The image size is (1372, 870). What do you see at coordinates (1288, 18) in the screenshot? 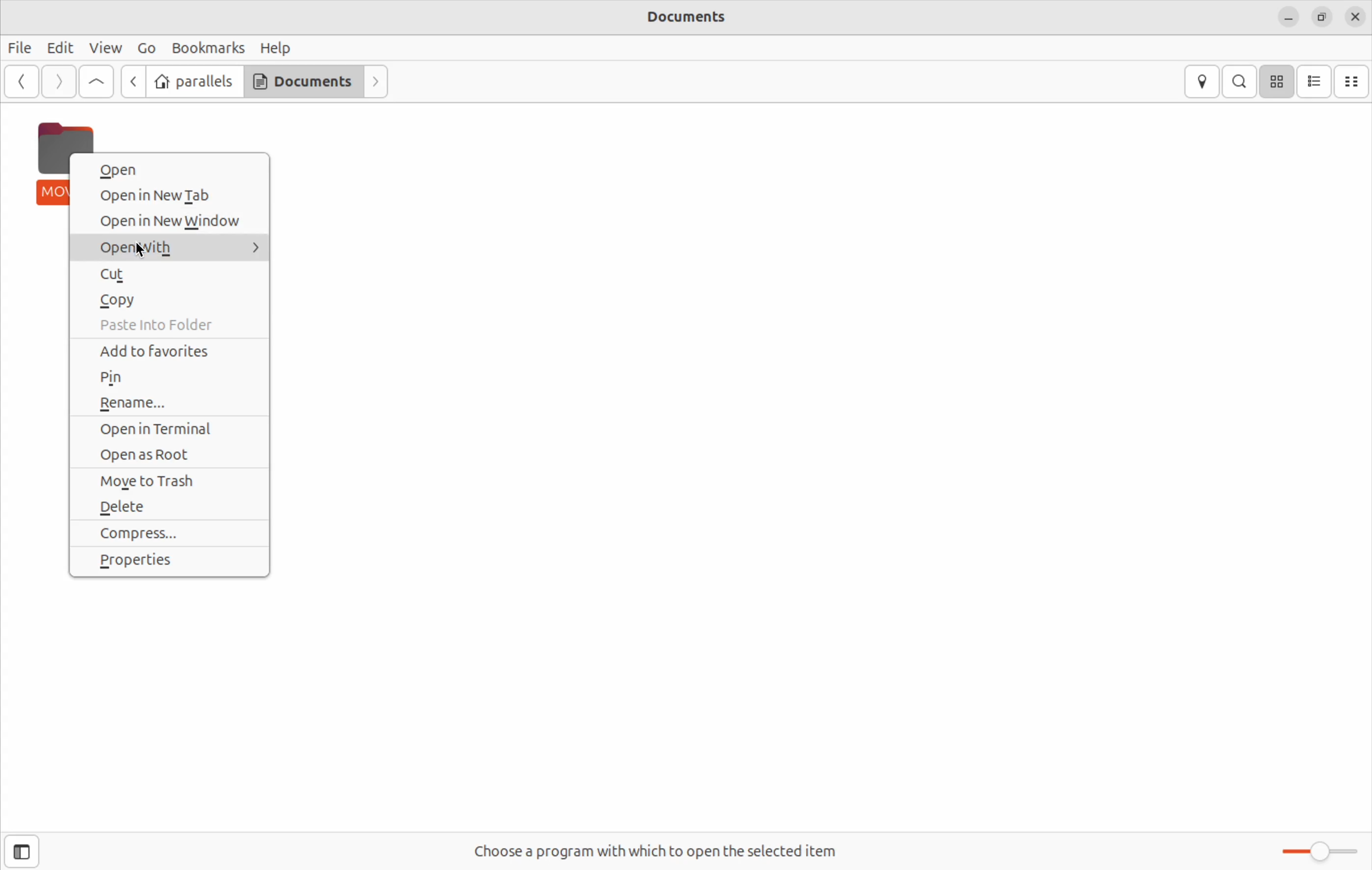
I see `minimize` at bounding box center [1288, 18].